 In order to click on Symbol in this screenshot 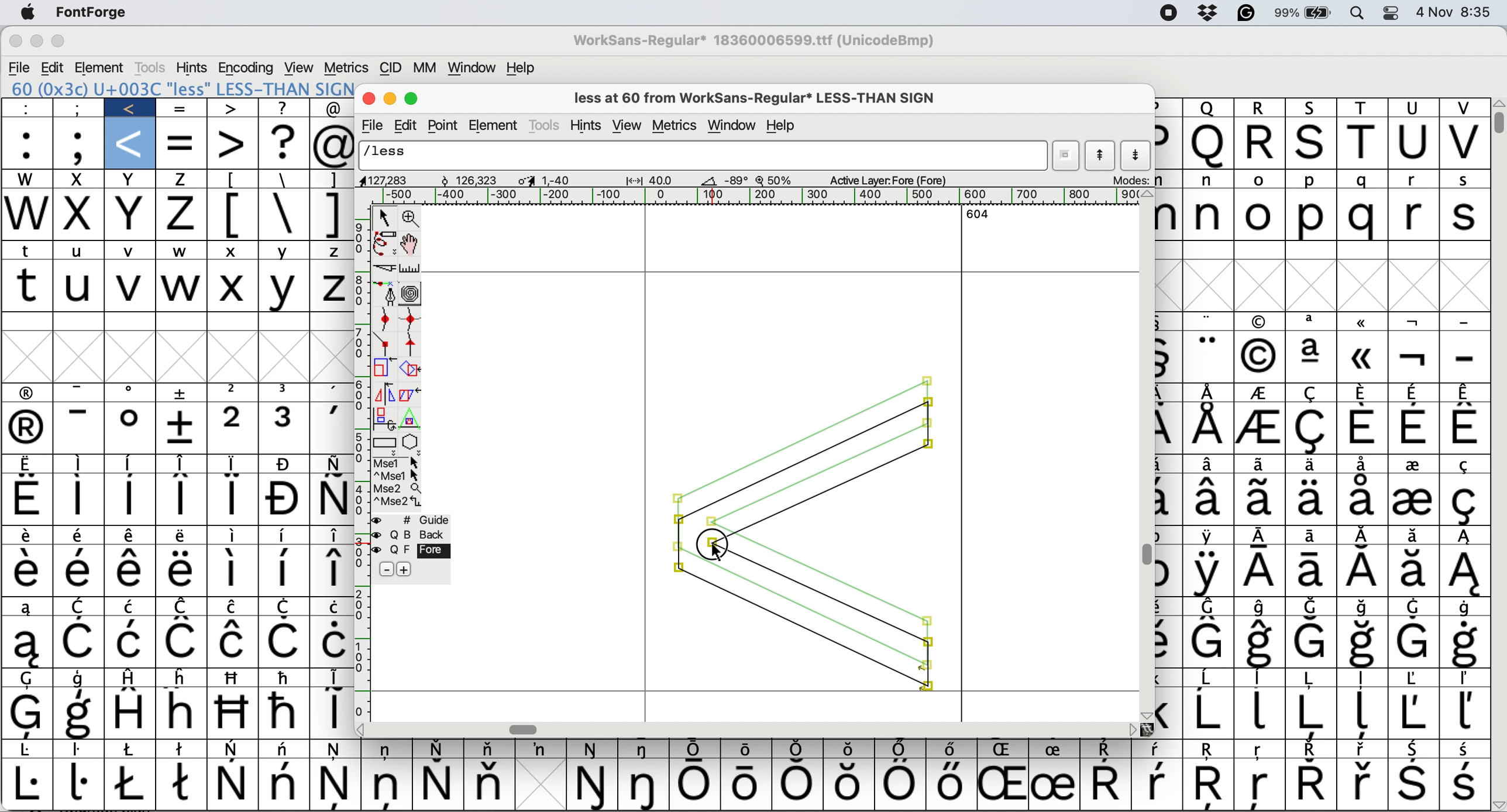, I will do `click(330, 641)`.